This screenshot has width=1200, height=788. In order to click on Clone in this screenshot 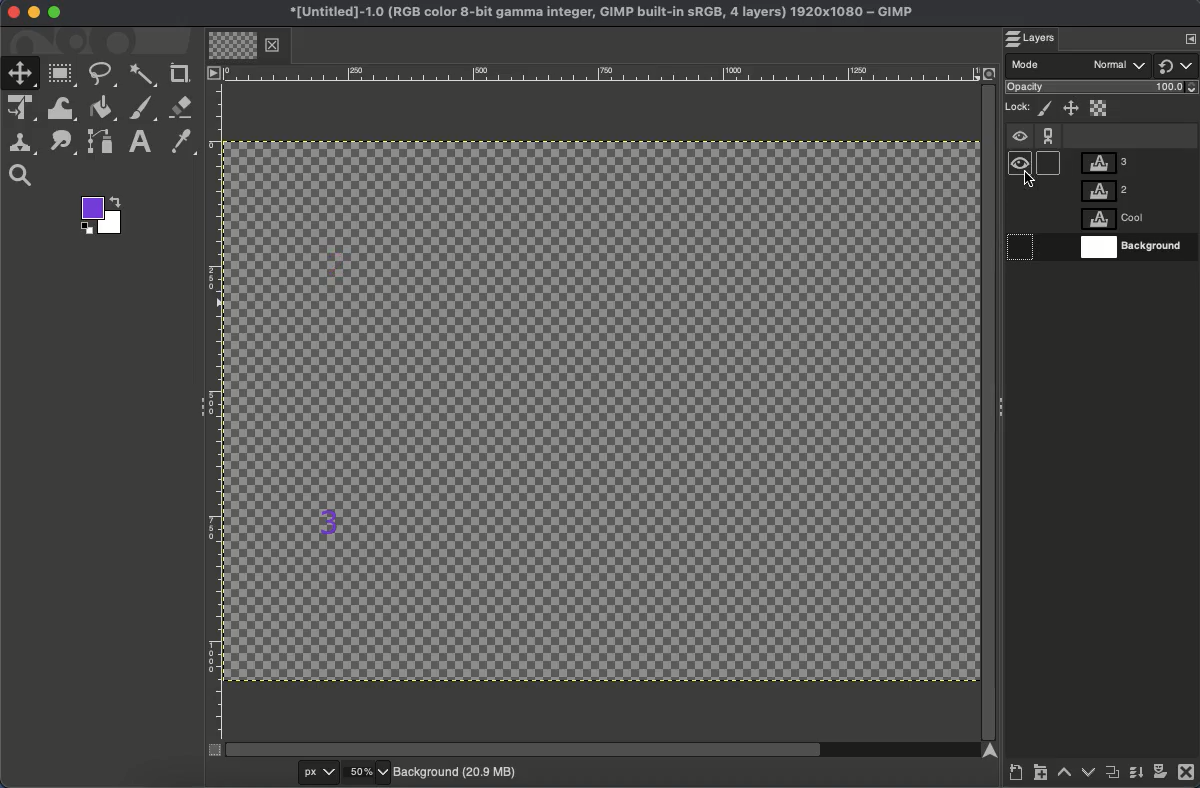, I will do `click(25, 143)`.